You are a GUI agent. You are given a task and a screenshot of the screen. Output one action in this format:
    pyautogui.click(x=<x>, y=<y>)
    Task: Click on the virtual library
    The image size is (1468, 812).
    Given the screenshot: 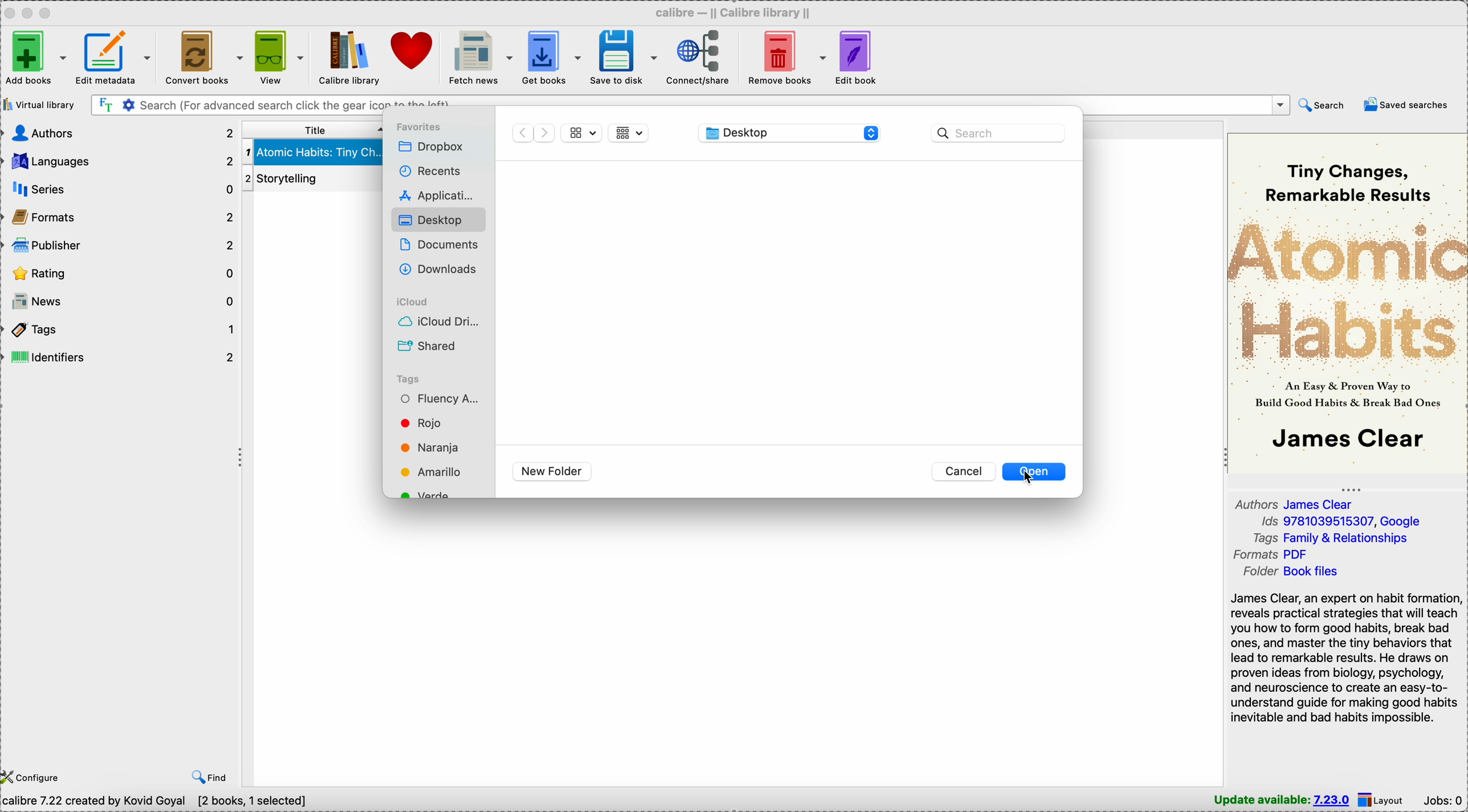 What is the action you would take?
    pyautogui.click(x=39, y=104)
    